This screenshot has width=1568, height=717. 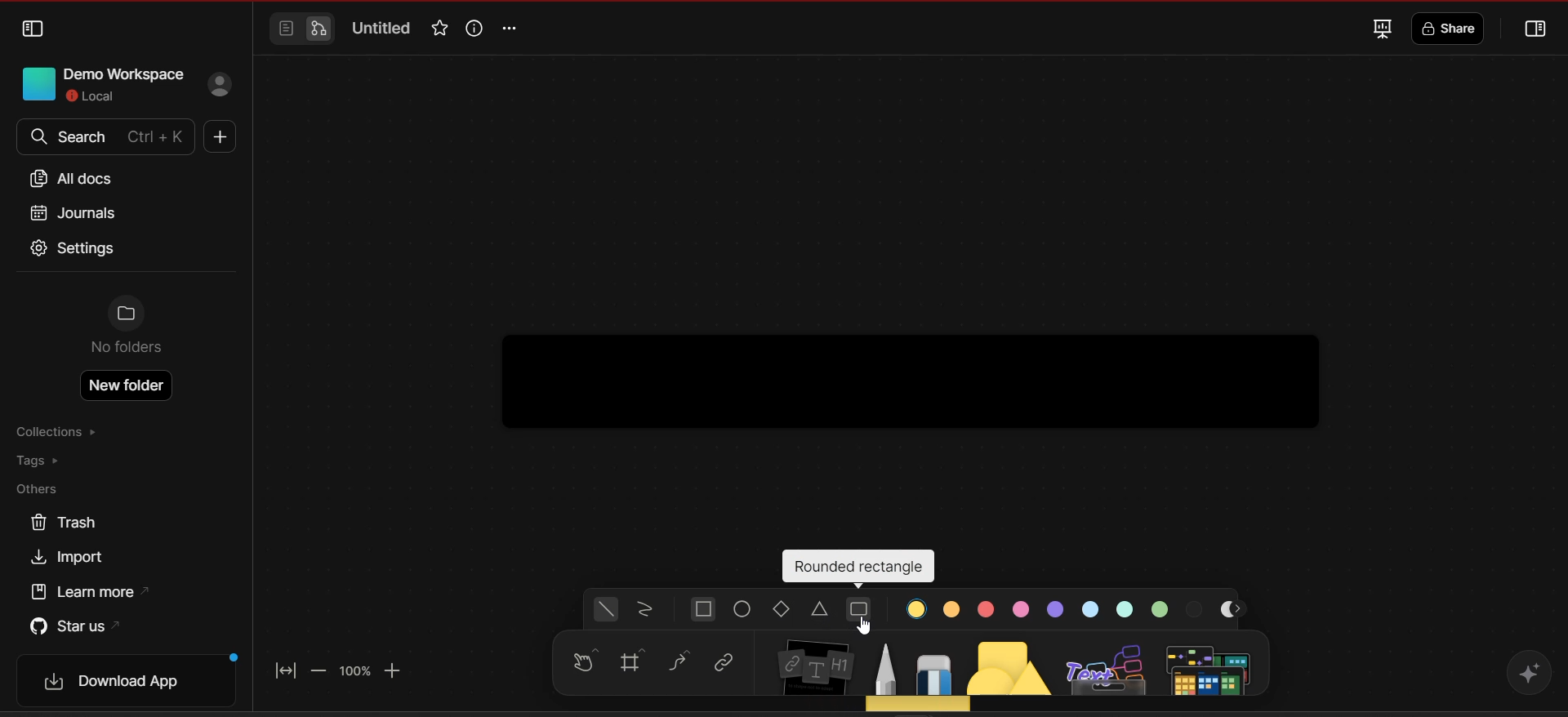 What do you see at coordinates (724, 663) in the screenshot?
I see `link` at bounding box center [724, 663].